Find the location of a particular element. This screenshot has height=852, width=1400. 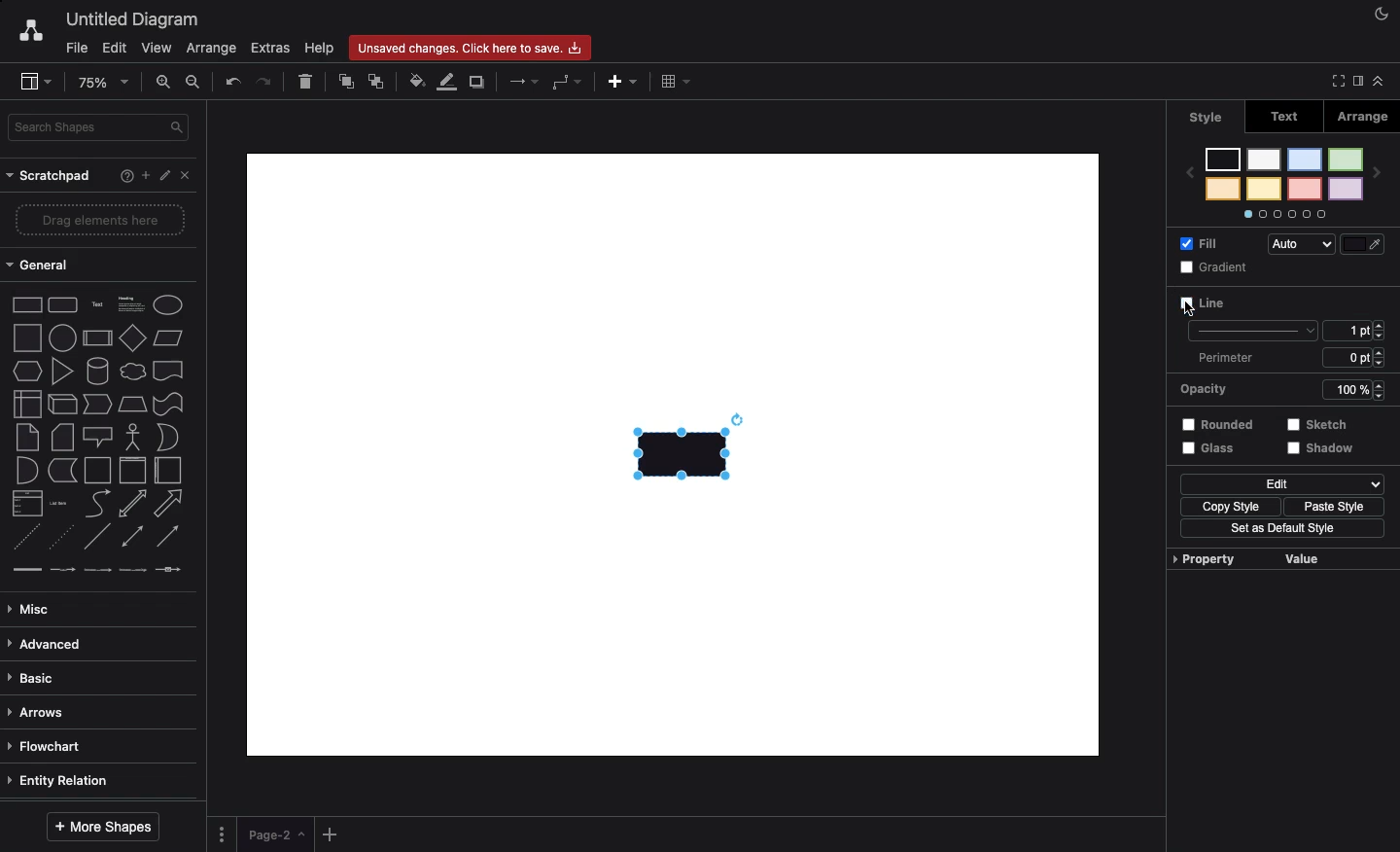

Rectangle added is located at coordinates (685, 451).